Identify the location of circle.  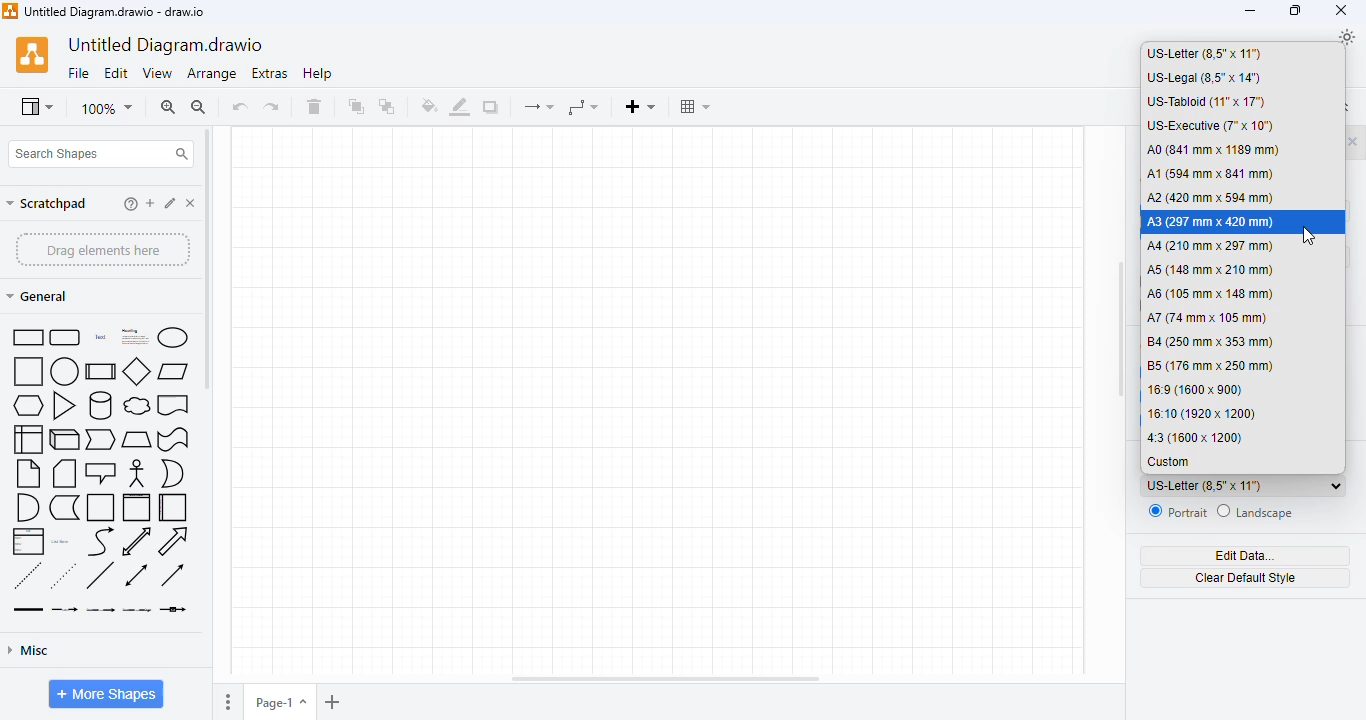
(64, 371).